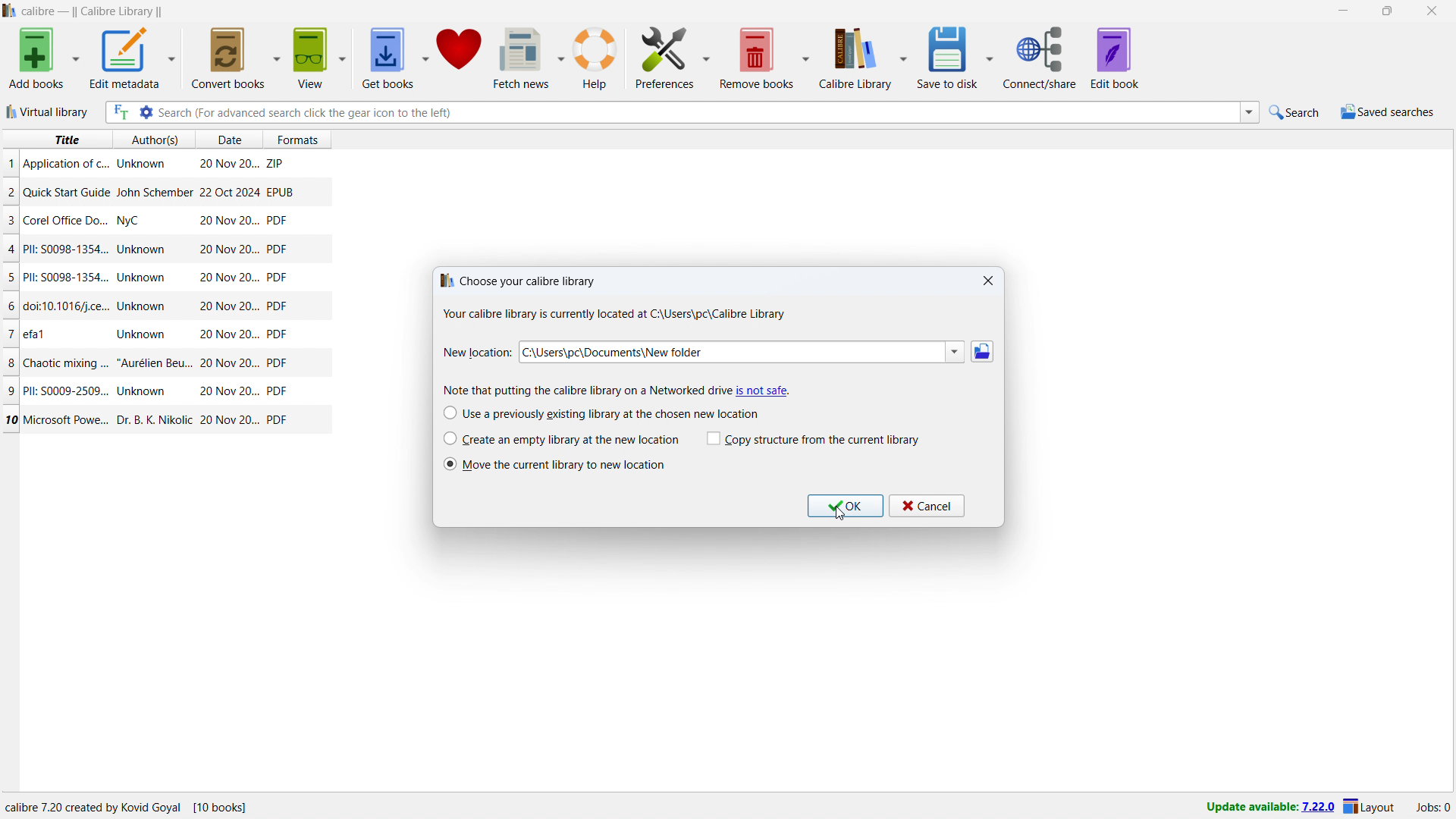 Image resolution: width=1456 pixels, height=819 pixels. Describe the element at coordinates (580, 390) in the screenshot. I see `Note` at that location.